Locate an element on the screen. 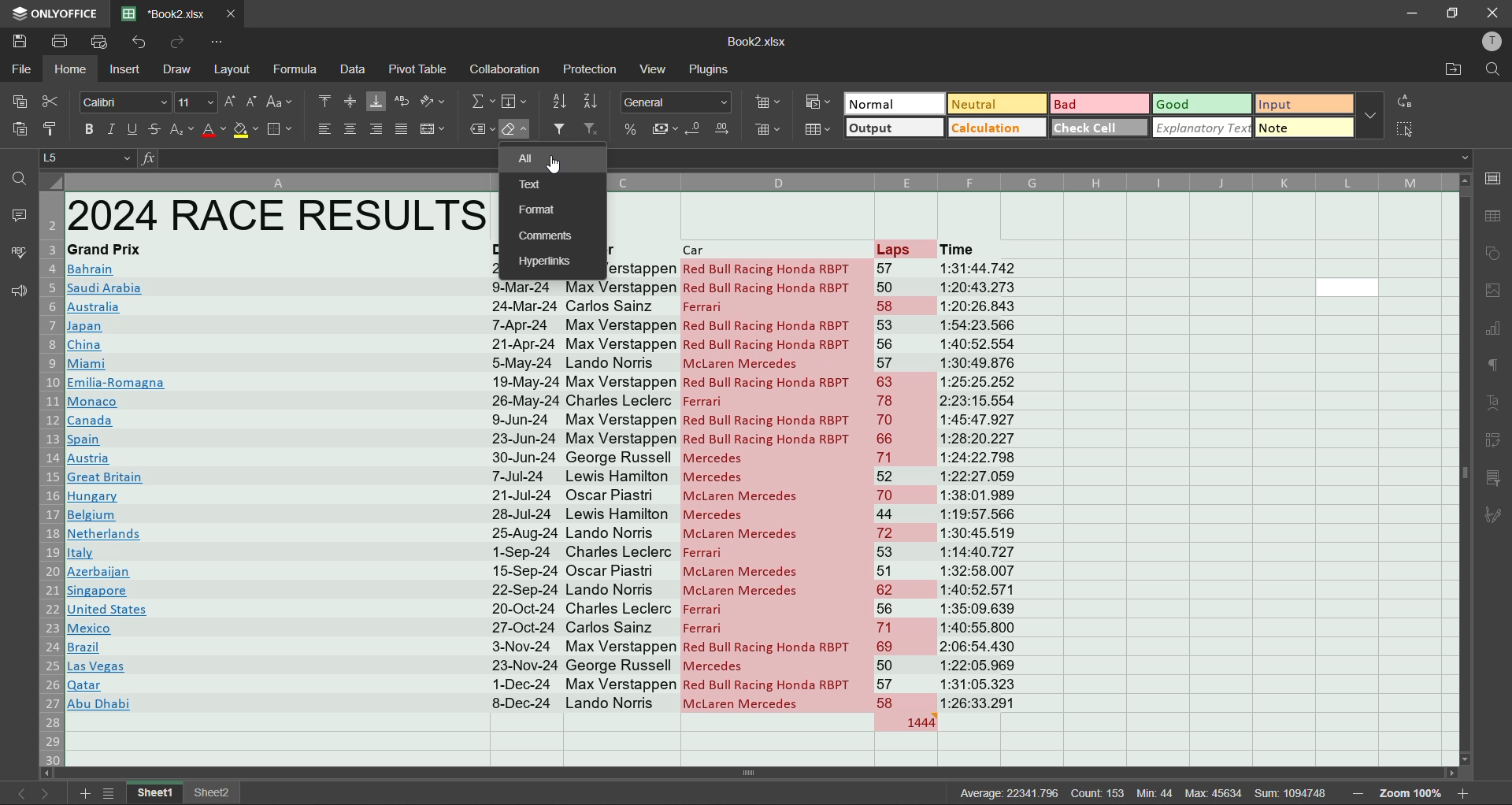  explanatory text is located at coordinates (1203, 128).